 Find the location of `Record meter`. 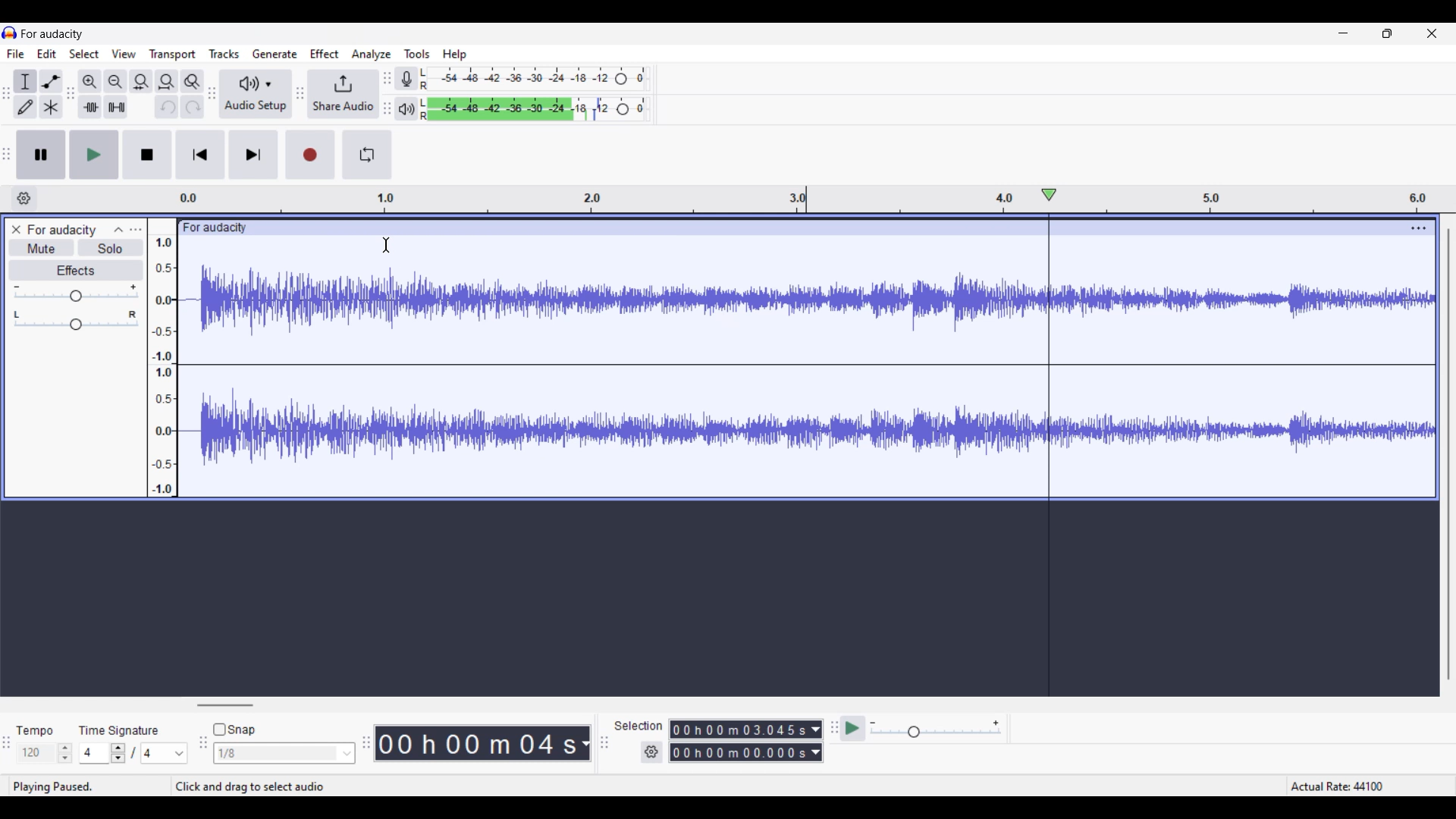

Record meter is located at coordinates (403, 78).